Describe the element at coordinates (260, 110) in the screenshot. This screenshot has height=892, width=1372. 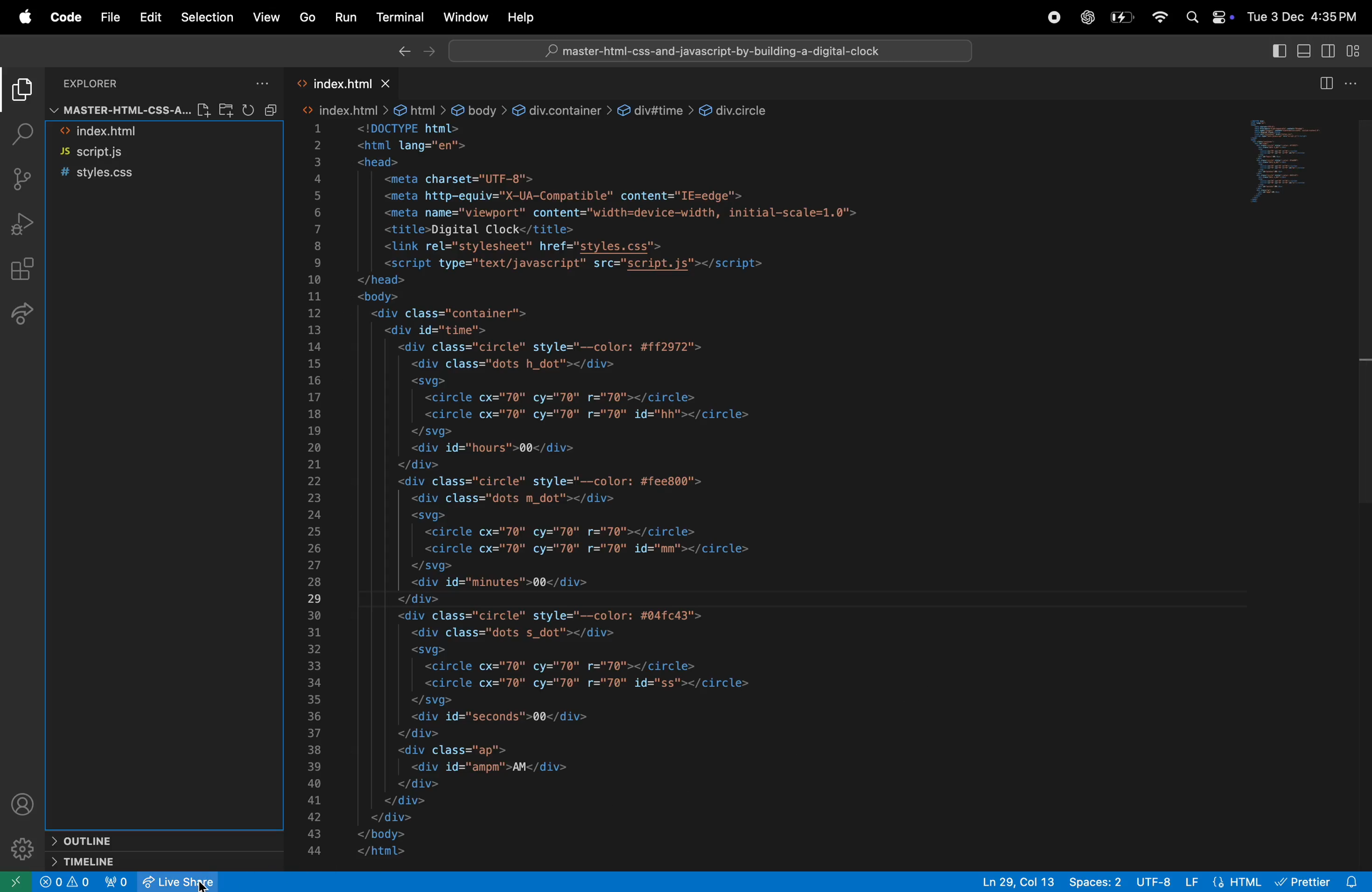
I see `refresh` at that location.